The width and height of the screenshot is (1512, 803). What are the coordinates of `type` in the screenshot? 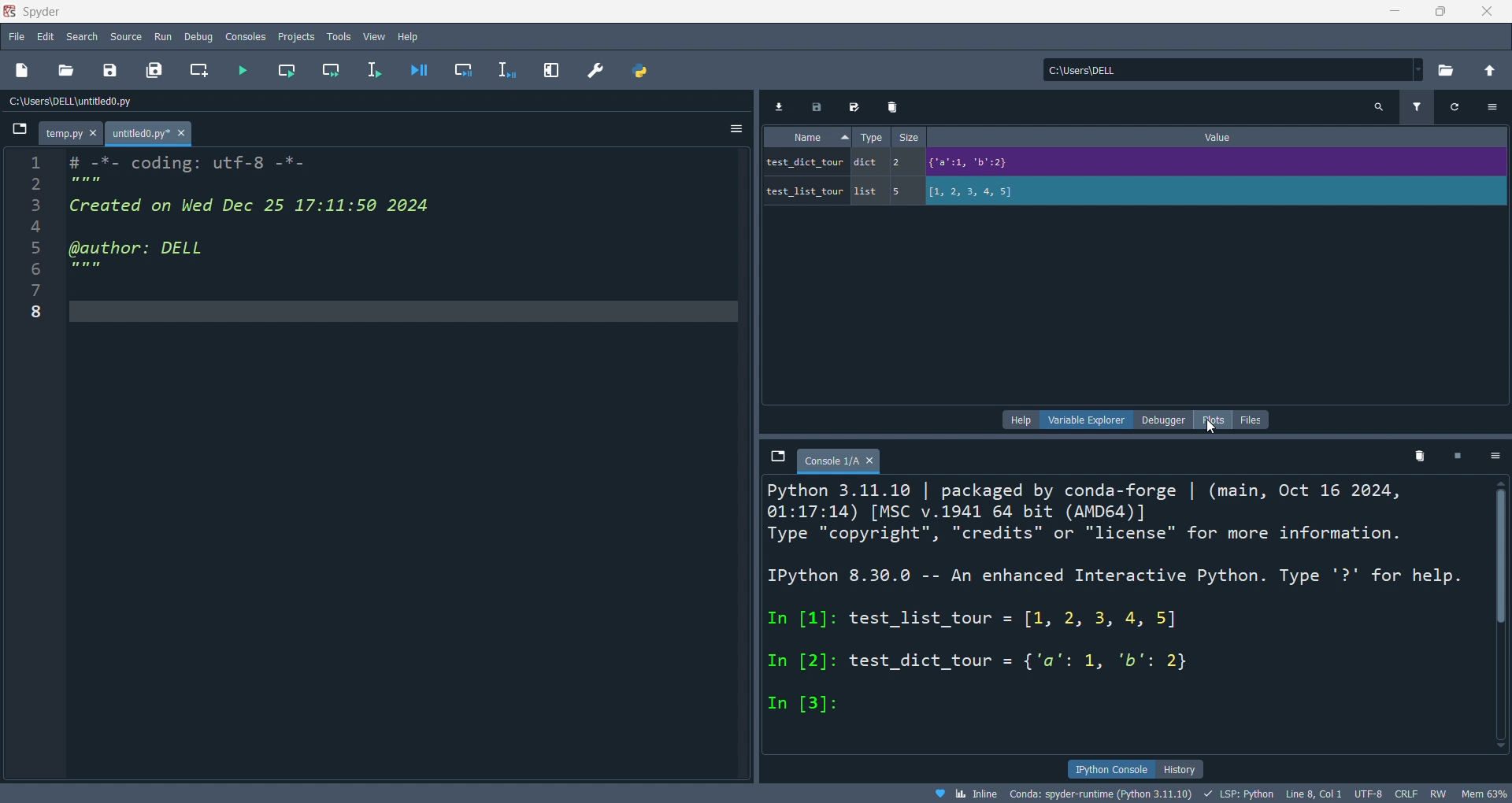 It's located at (868, 135).